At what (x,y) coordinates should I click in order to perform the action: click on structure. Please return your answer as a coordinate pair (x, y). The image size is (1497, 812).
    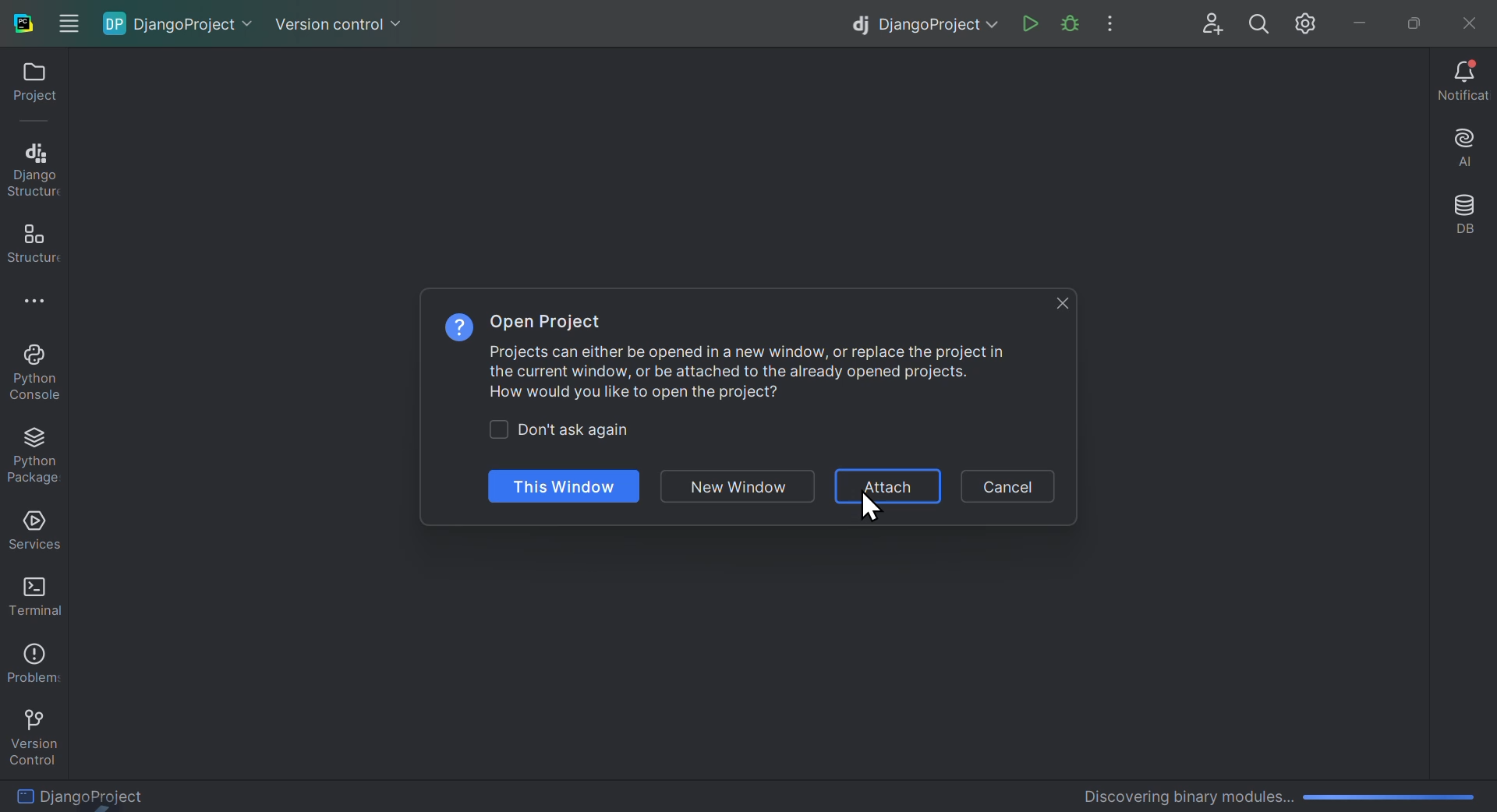
    Looking at the image, I should click on (30, 243).